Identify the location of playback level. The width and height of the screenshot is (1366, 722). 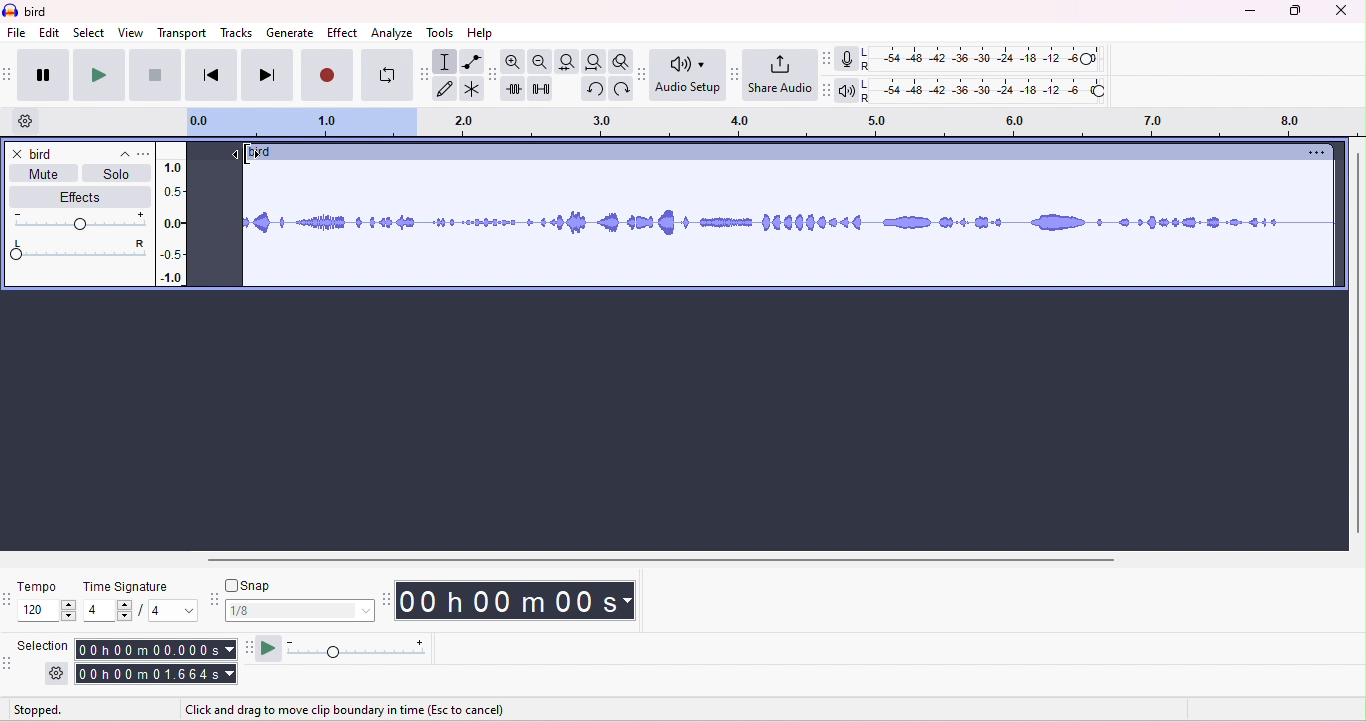
(983, 93).